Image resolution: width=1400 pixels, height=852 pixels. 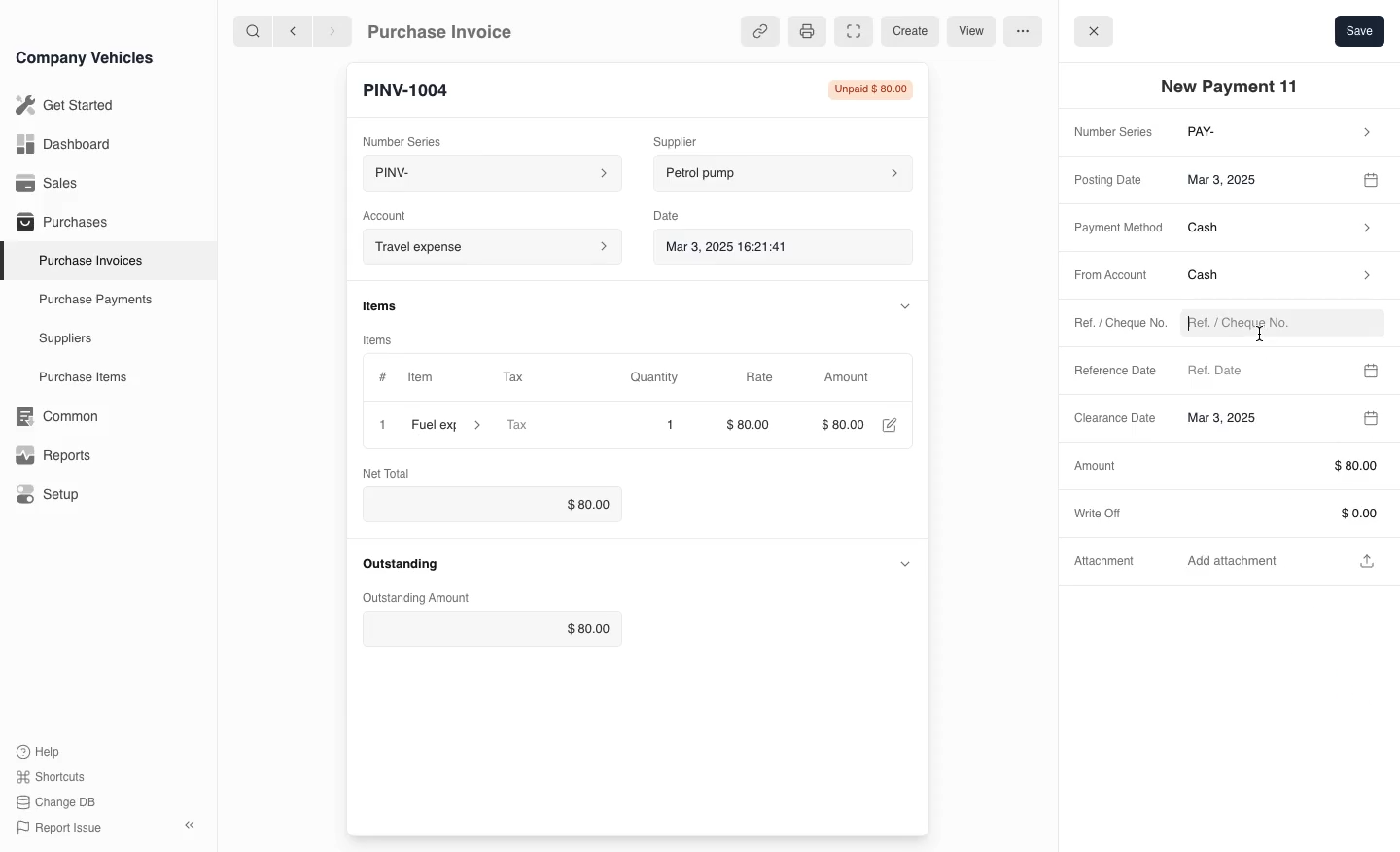 What do you see at coordinates (43, 751) in the screenshot?
I see `Help` at bounding box center [43, 751].